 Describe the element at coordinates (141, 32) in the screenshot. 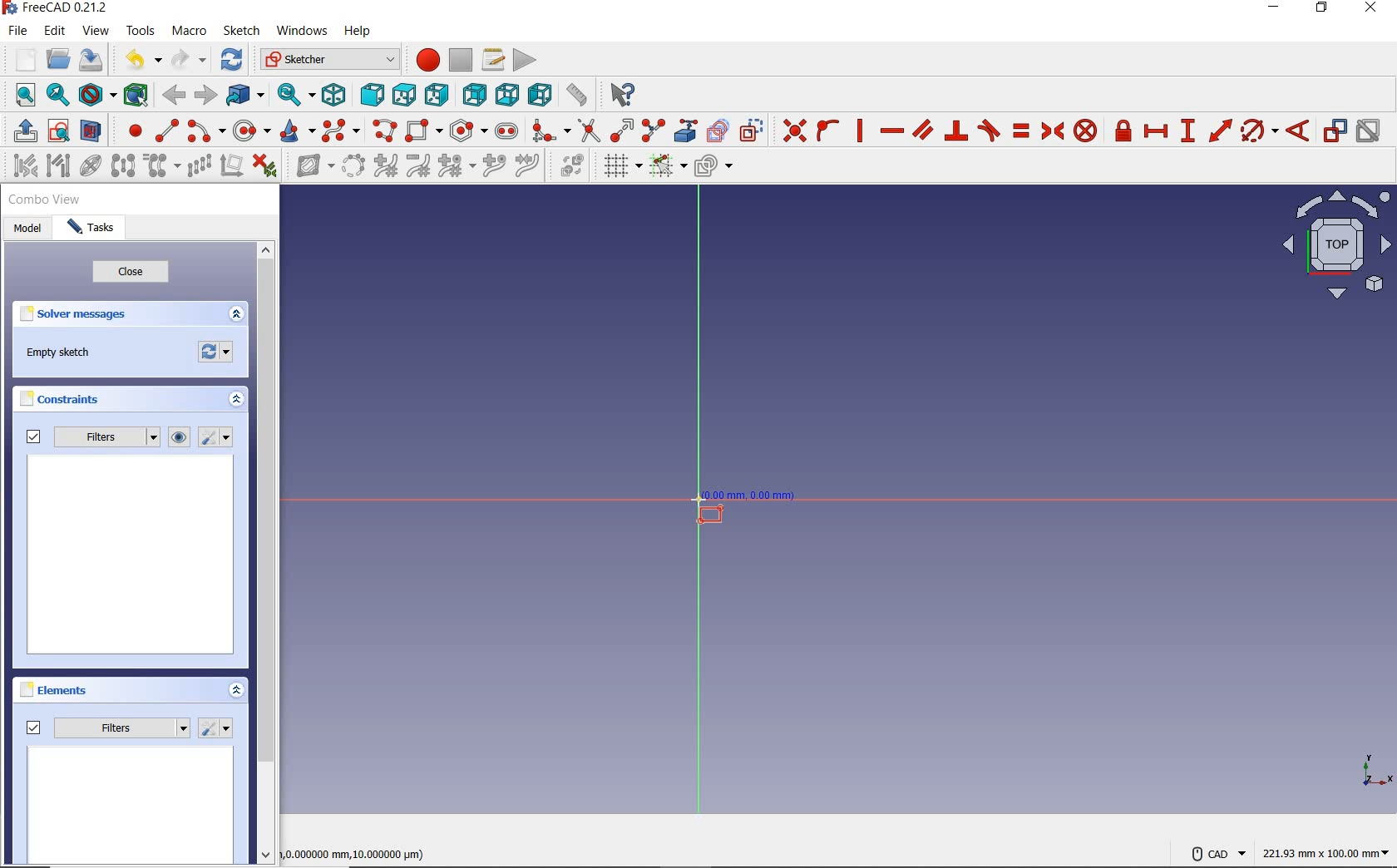

I see `tools` at that location.